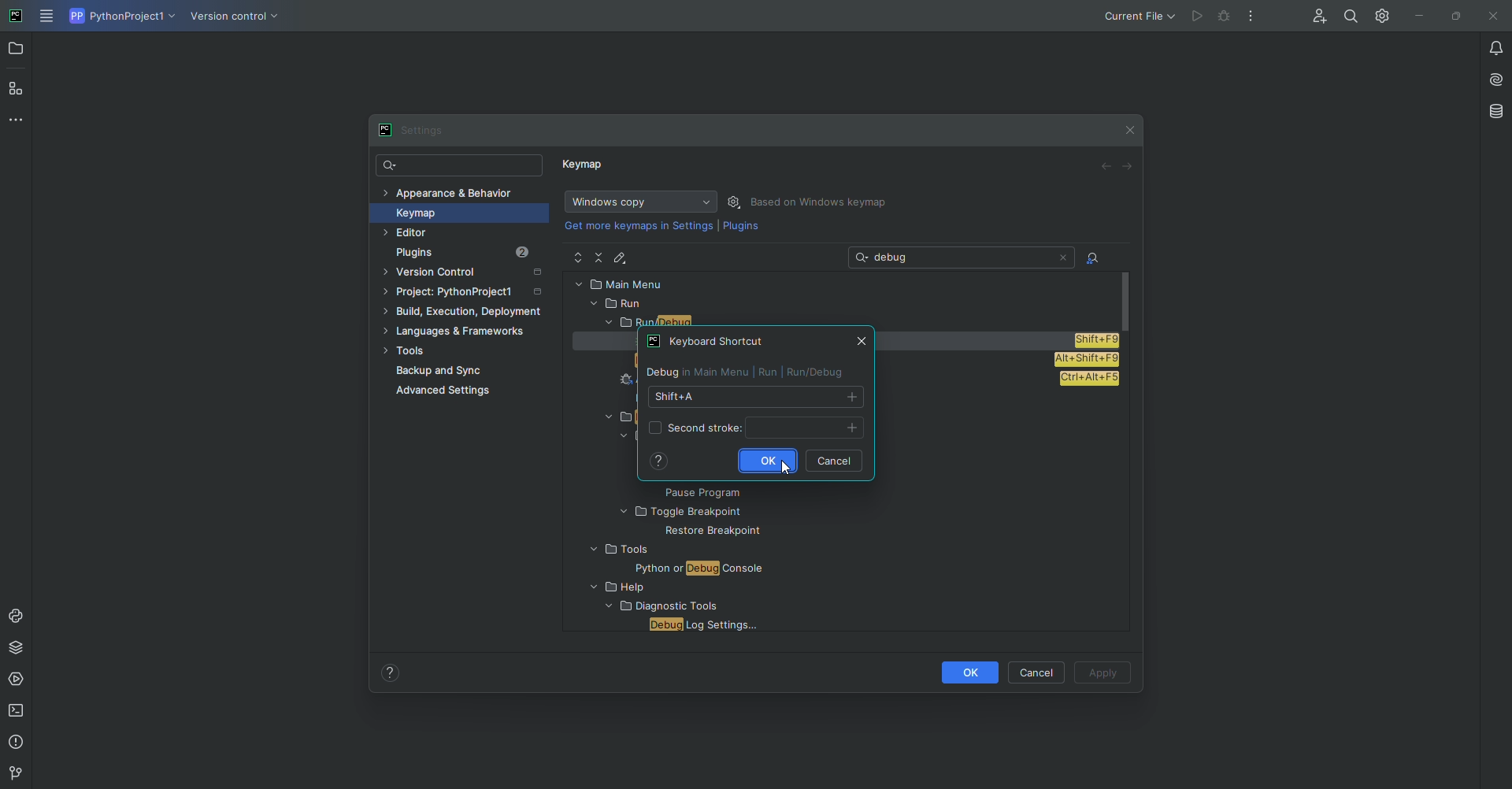 The width and height of the screenshot is (1512, 789). I want to click on Edit, so click(623, 257).